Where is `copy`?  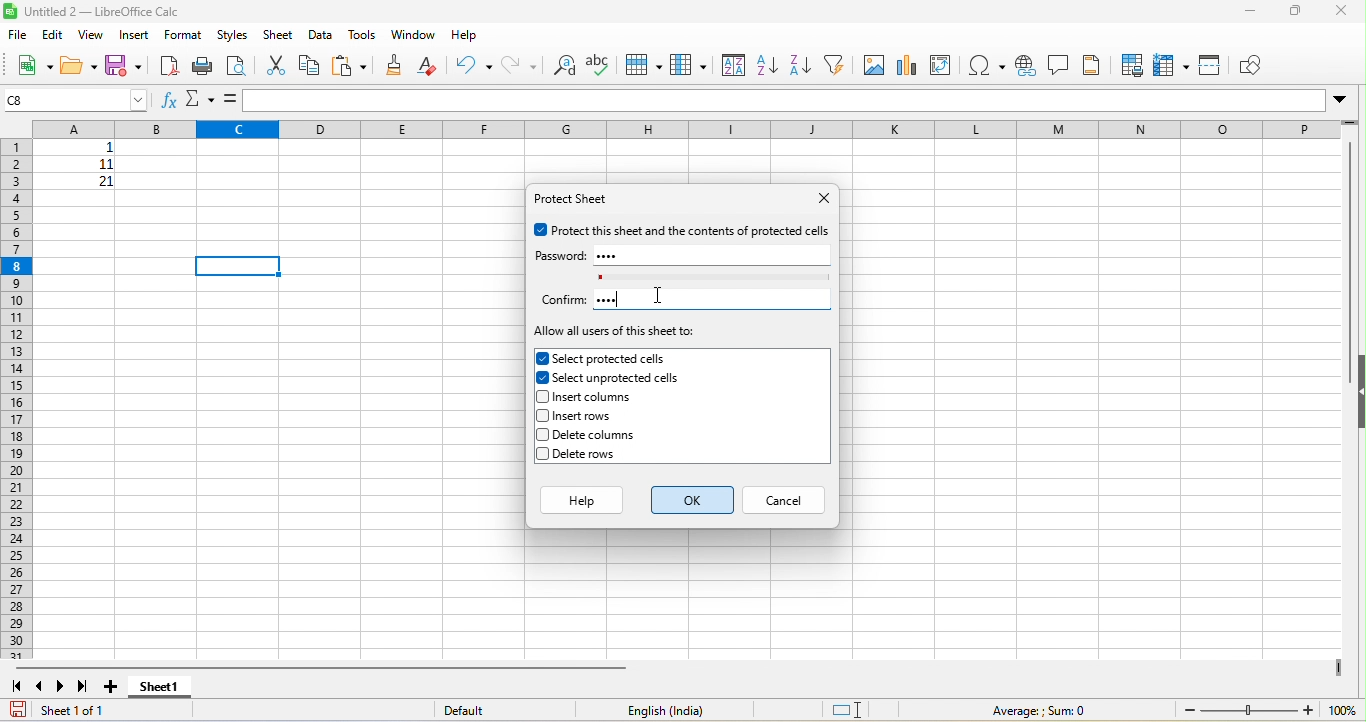 copy is located at coordinates (310, 67).